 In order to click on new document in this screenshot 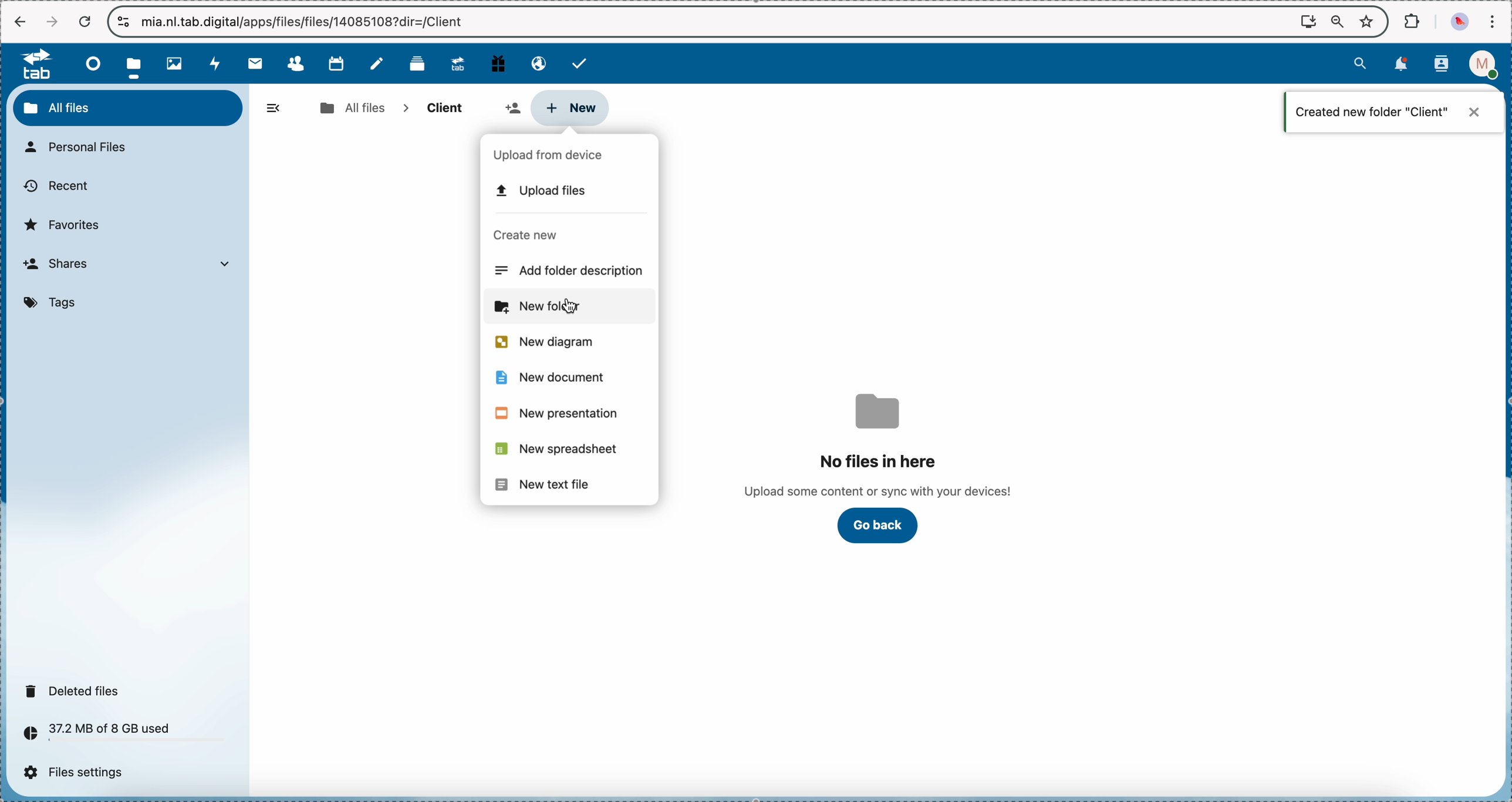, I will do `click(555, 378)`.